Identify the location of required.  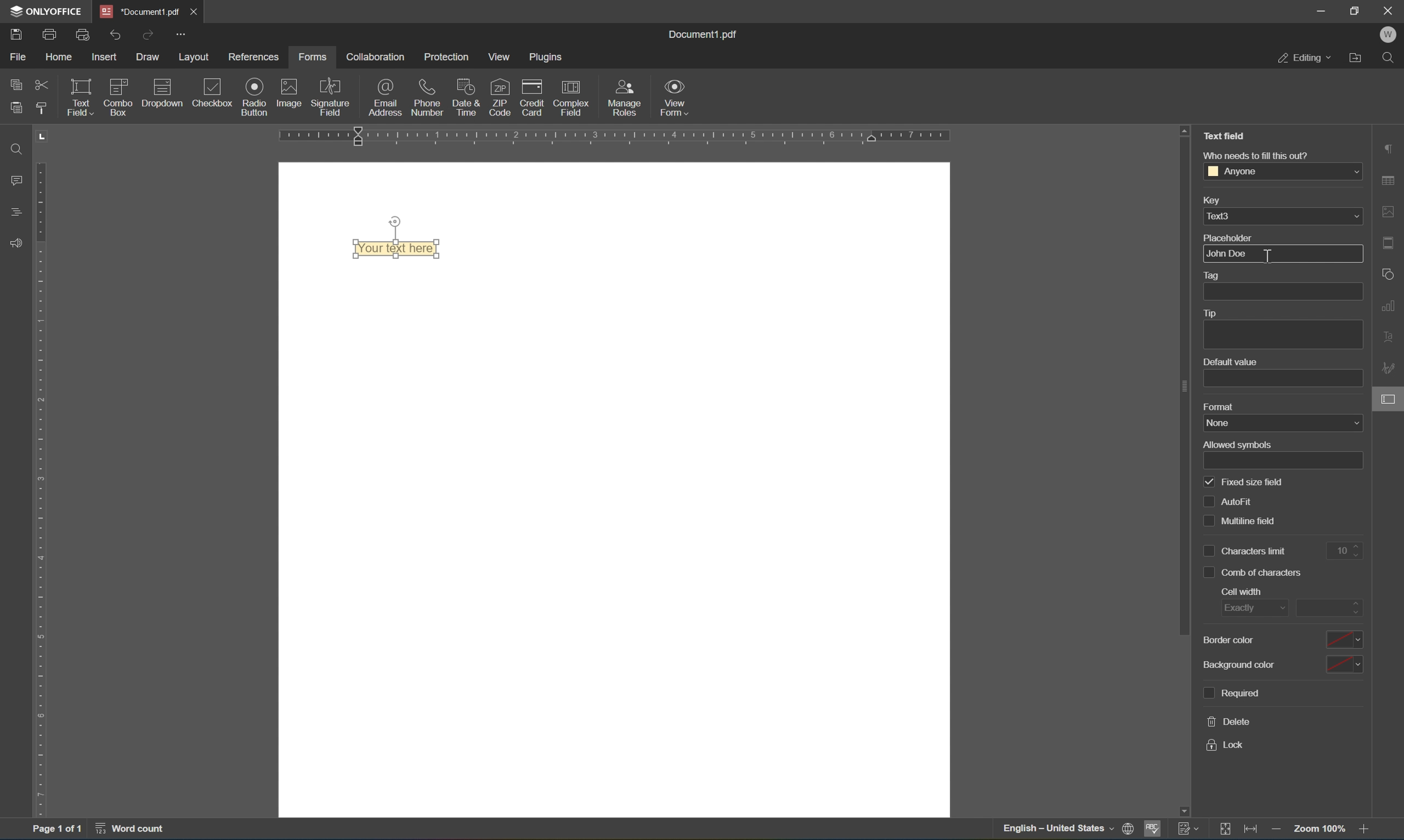
(1234, 693).